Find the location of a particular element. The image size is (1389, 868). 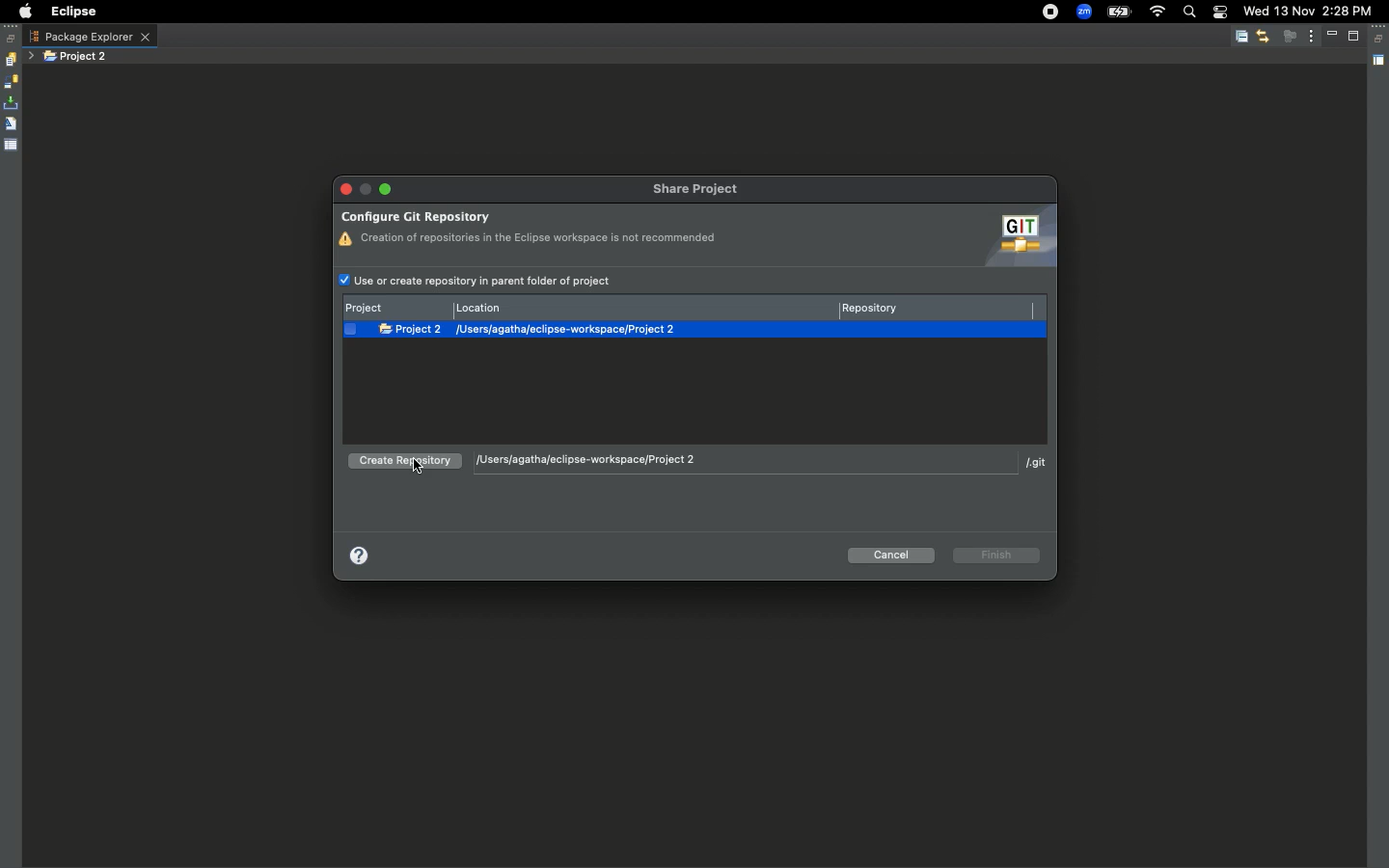

Minimize is located at coordinates (1335, 36).